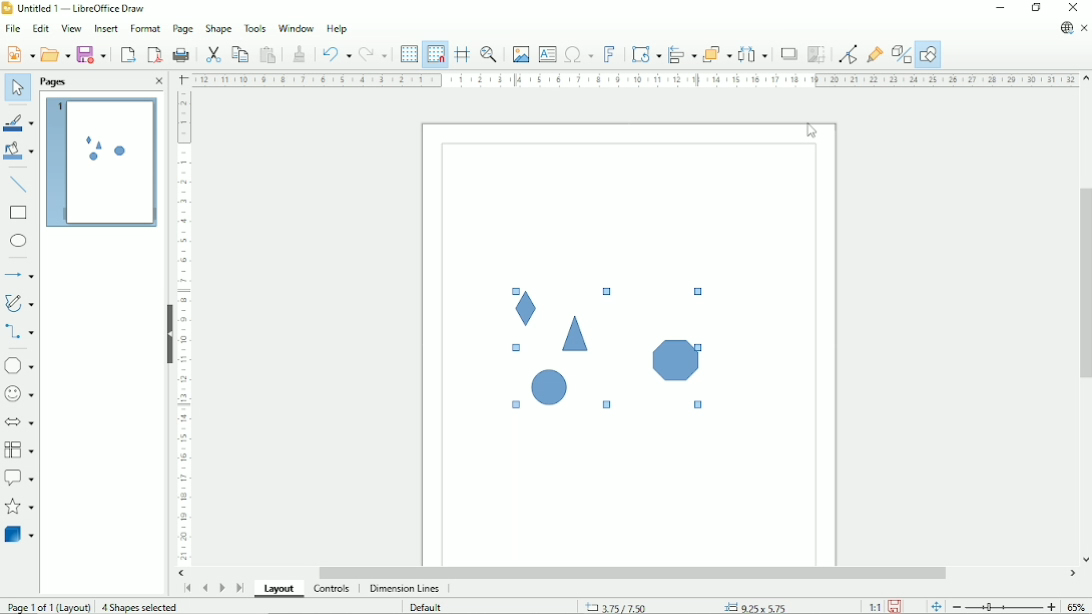 This screenshot has width=1092, height=614. Describe the element at coordinates (70, 28) in the screenshot. I see `View` at that location.